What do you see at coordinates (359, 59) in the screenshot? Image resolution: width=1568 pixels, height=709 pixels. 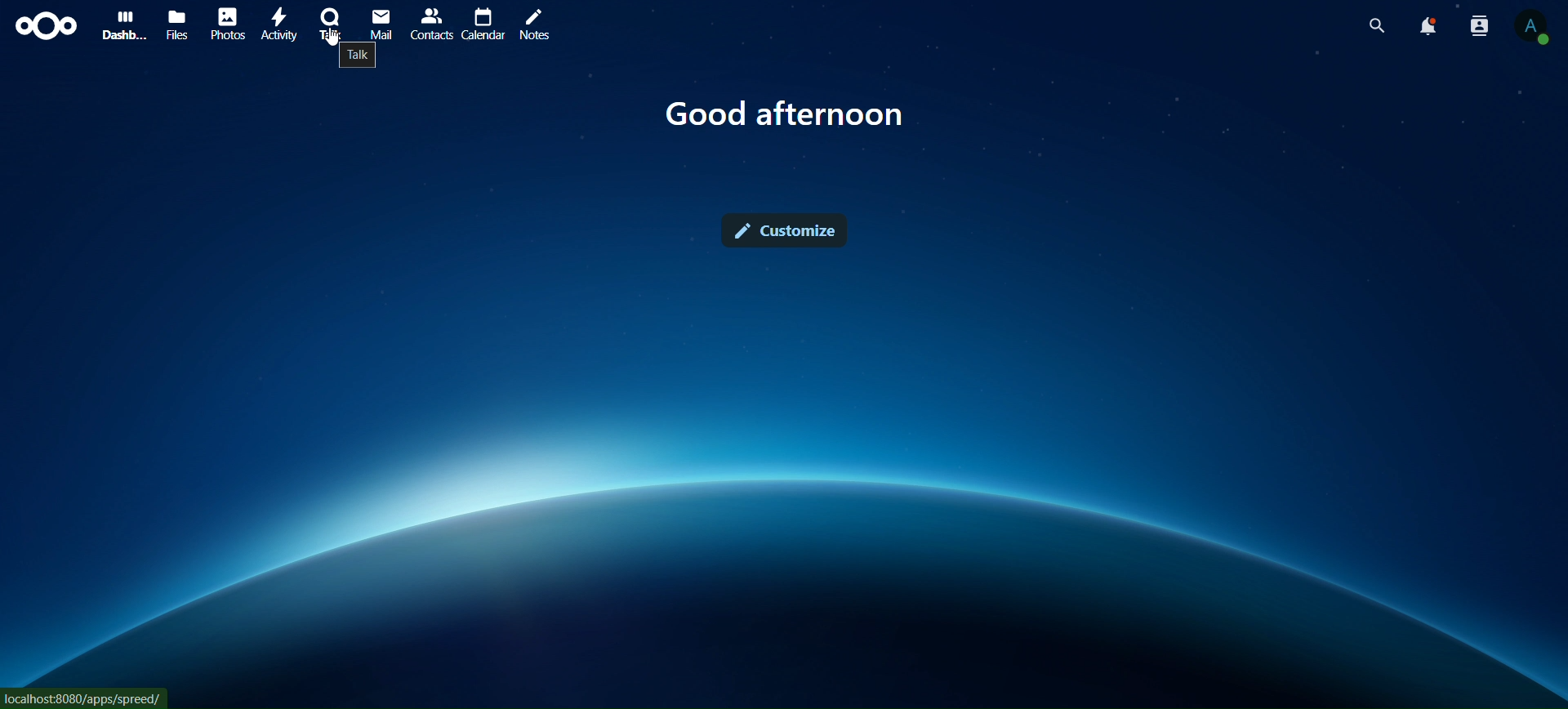 I see `tooltip` at bounding box center [359, 59].